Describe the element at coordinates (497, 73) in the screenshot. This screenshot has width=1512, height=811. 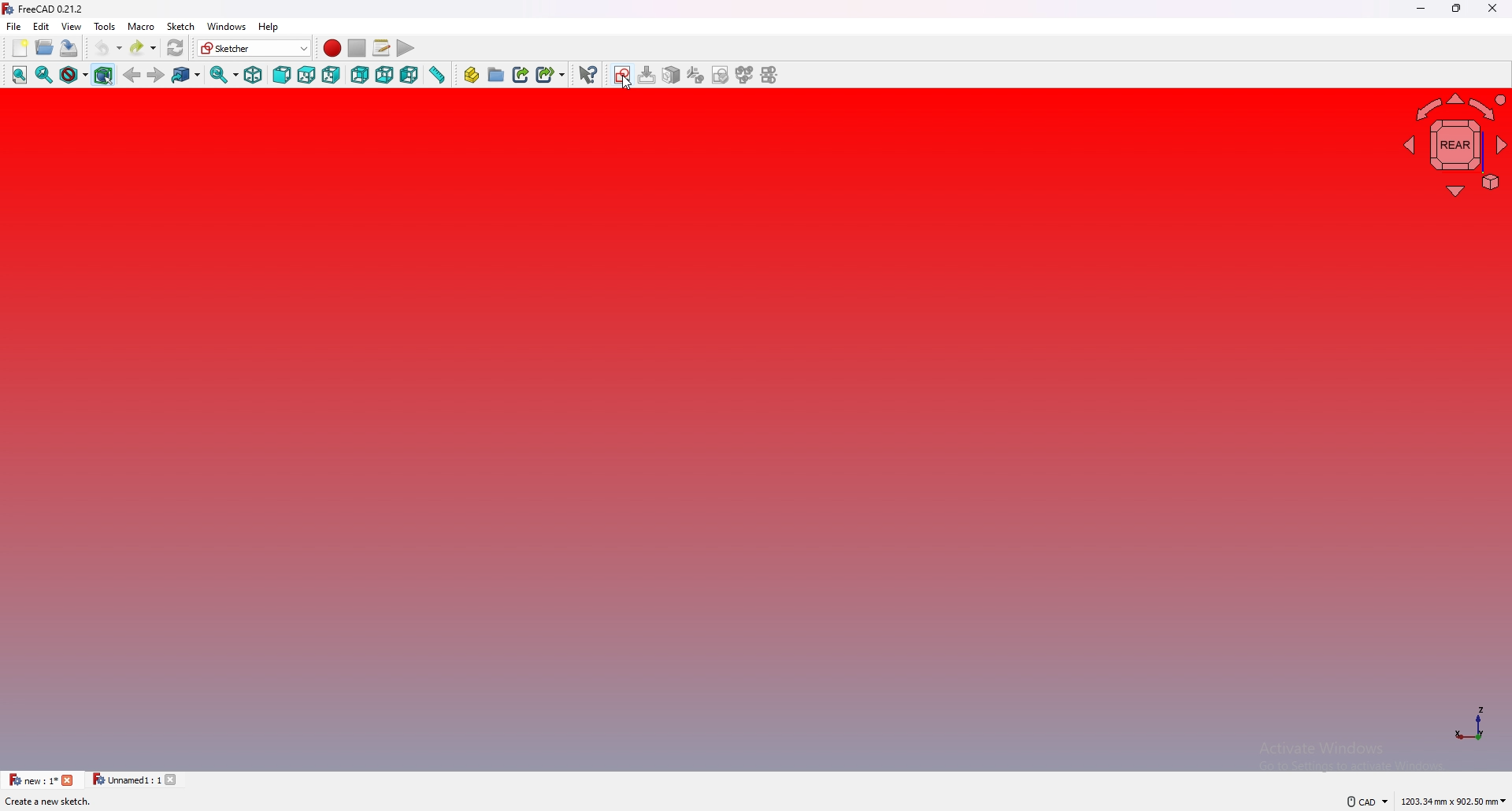
I see `create group` at that location.